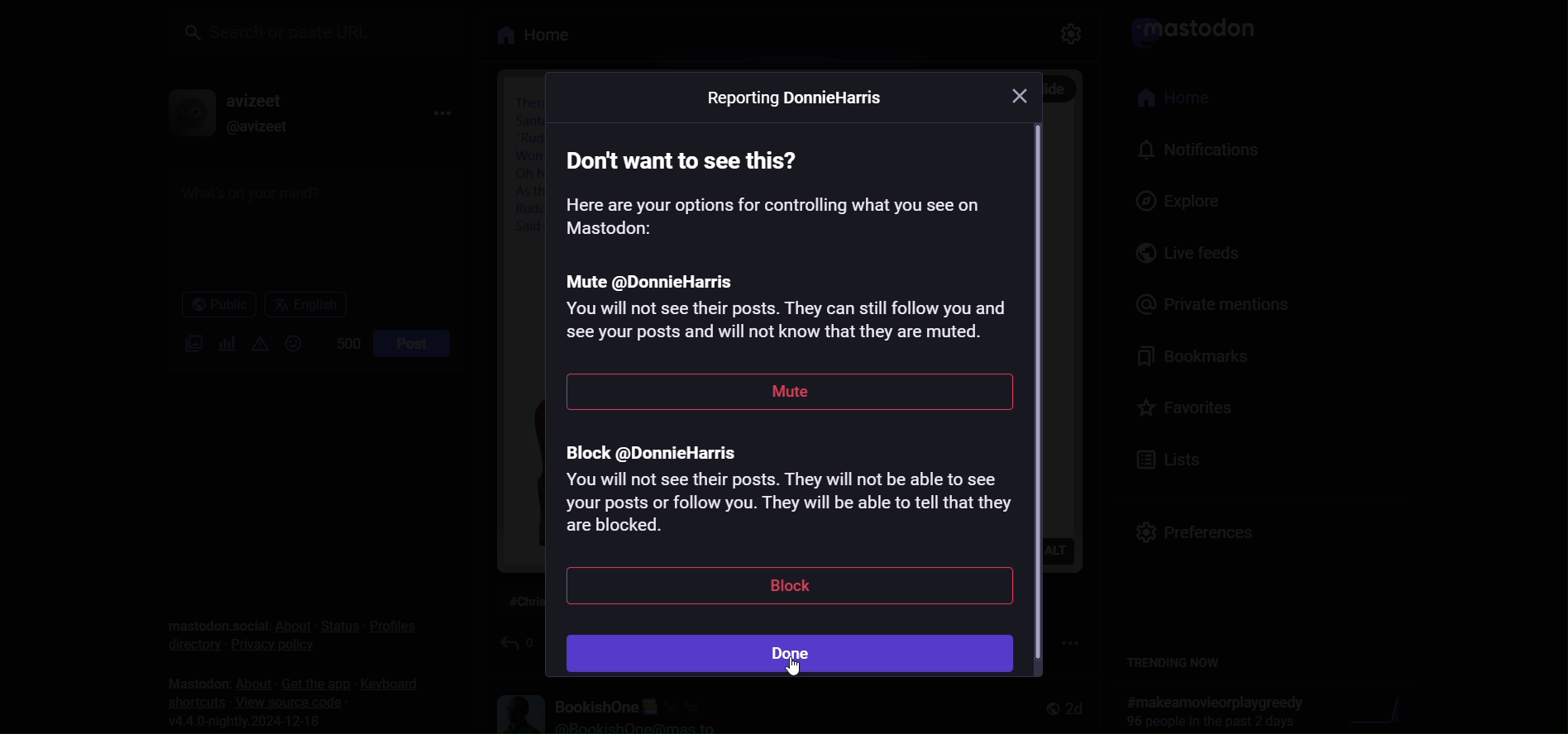  I want to click on mastodon social, so click(213, 614).